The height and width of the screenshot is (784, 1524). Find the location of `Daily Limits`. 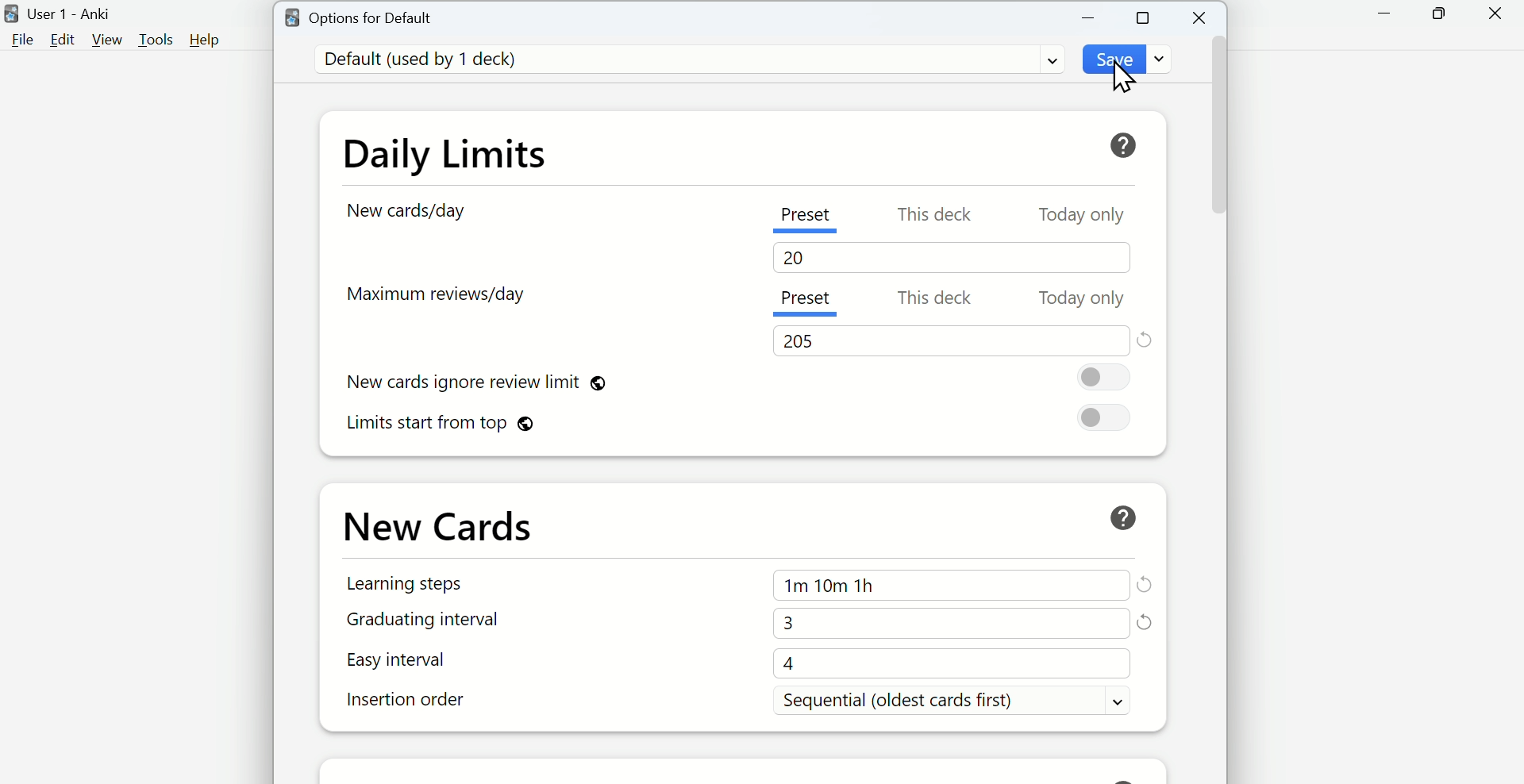

Daily Limits is located at coordinates (462, 150).